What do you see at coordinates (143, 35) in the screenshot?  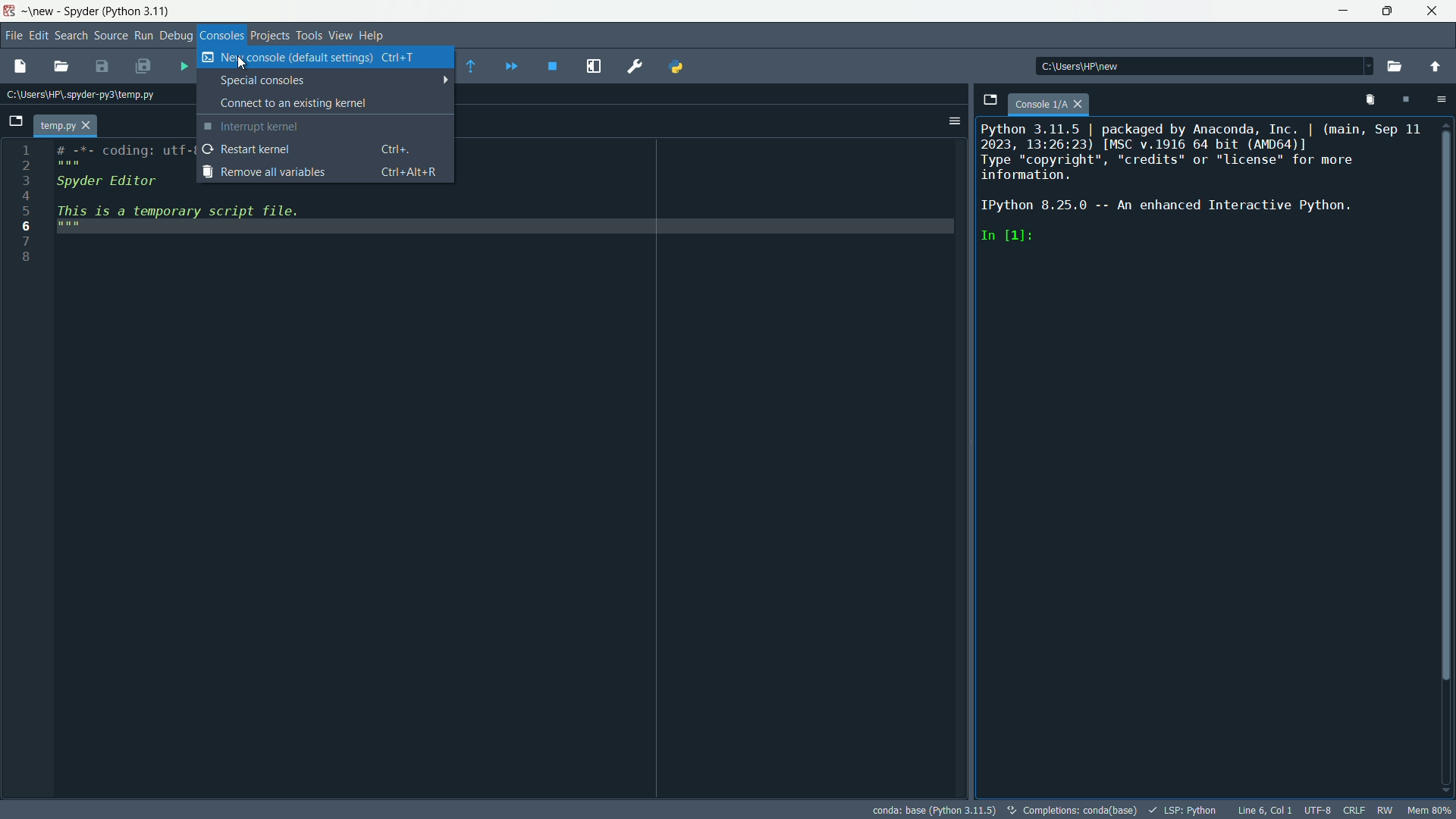 I see `run menu` at bounding box center [143, 35].